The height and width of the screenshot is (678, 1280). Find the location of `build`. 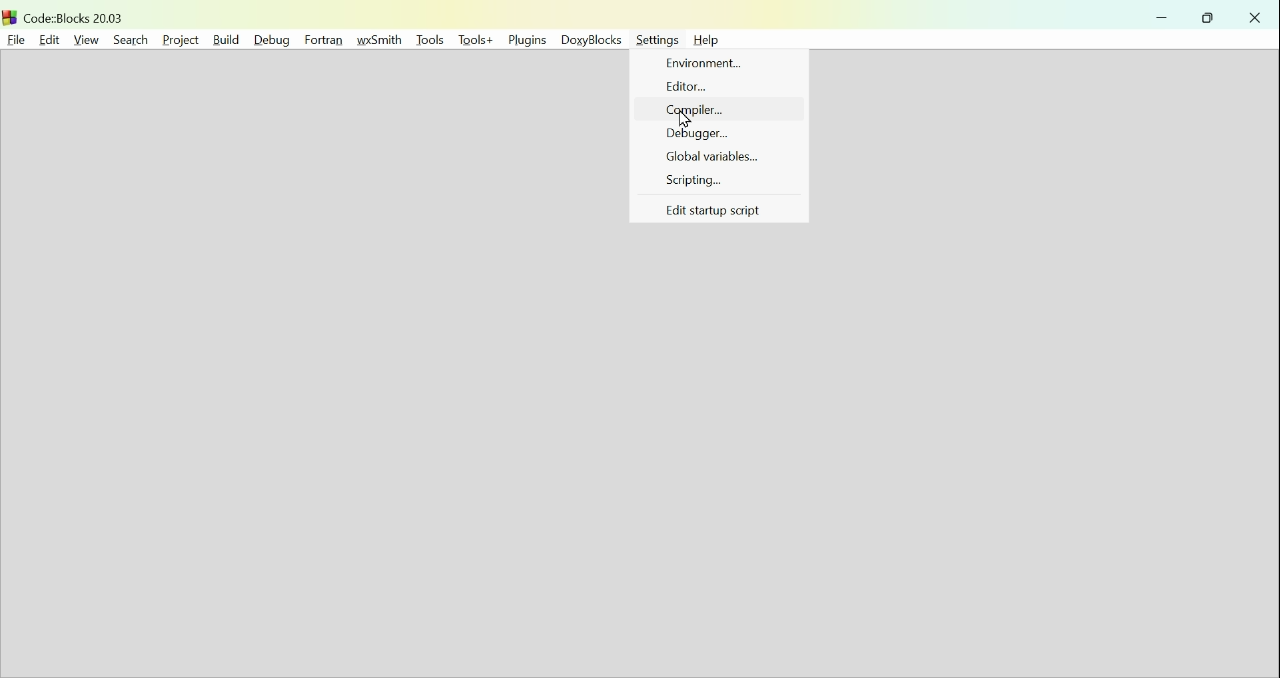

build is located at coordinates (224, 39).